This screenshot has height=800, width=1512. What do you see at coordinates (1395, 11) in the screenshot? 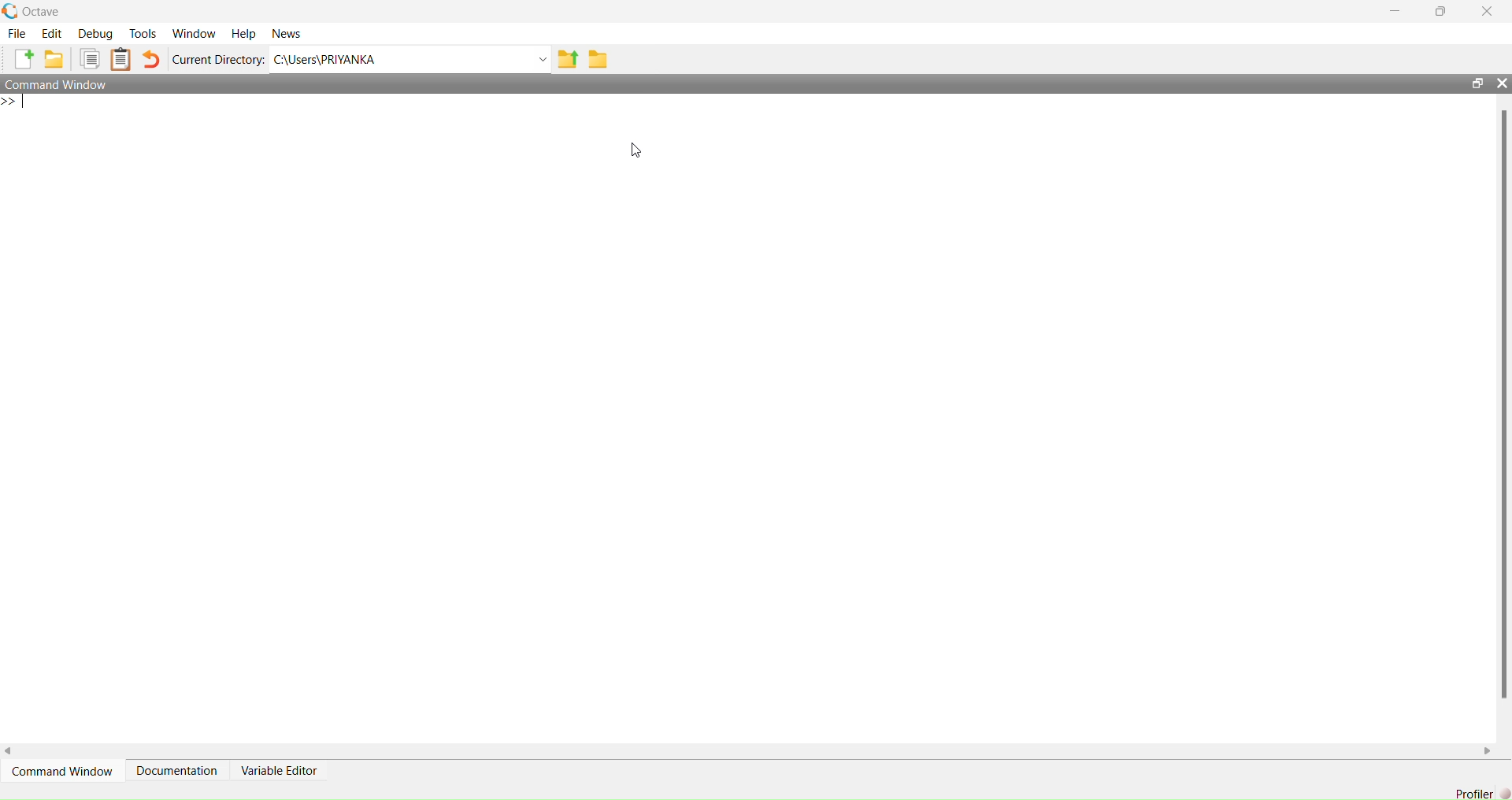
I see `minimize` at bounding box center [1395, 11].